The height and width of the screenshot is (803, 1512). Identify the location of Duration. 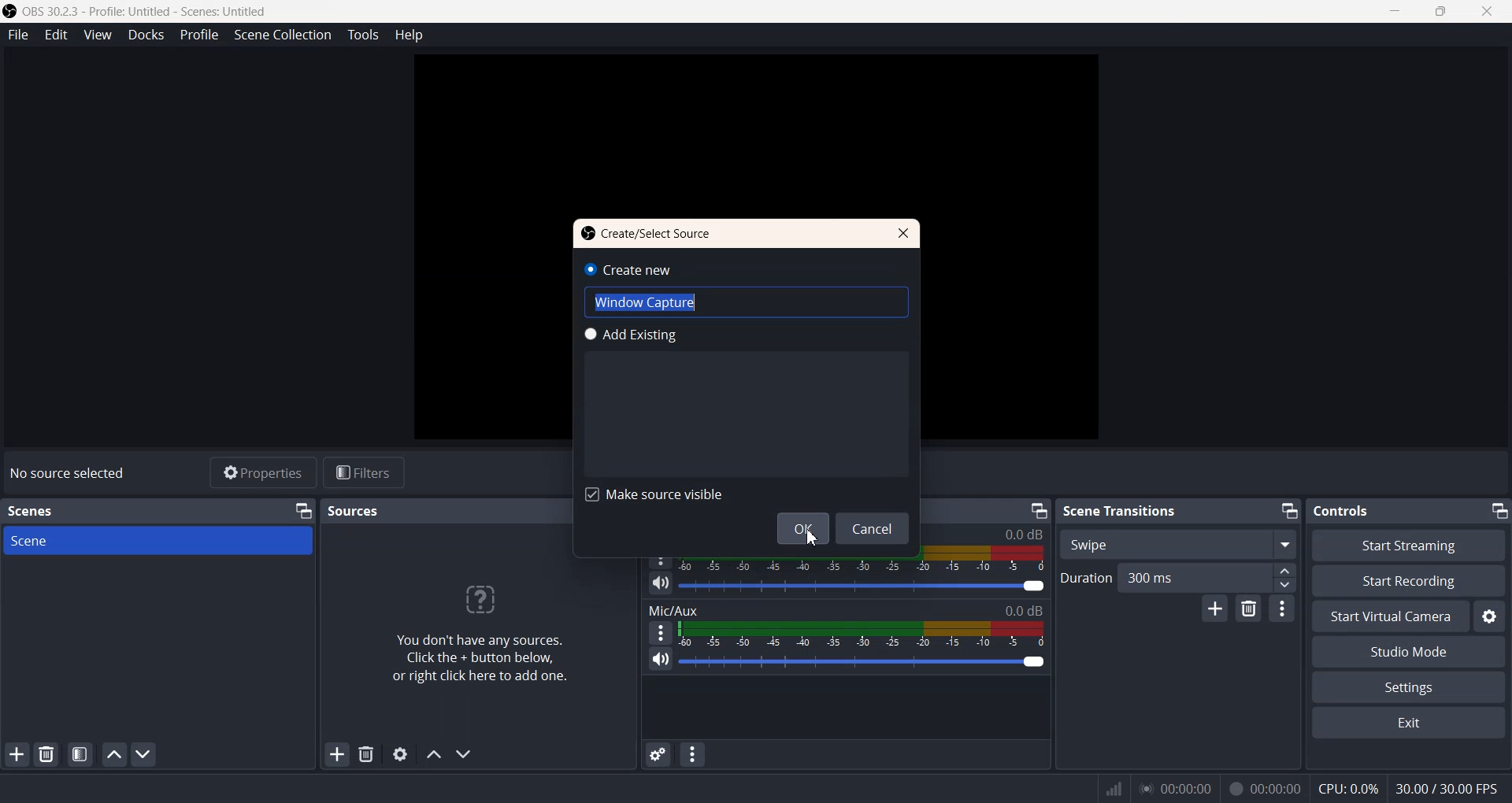
(1087, 576).